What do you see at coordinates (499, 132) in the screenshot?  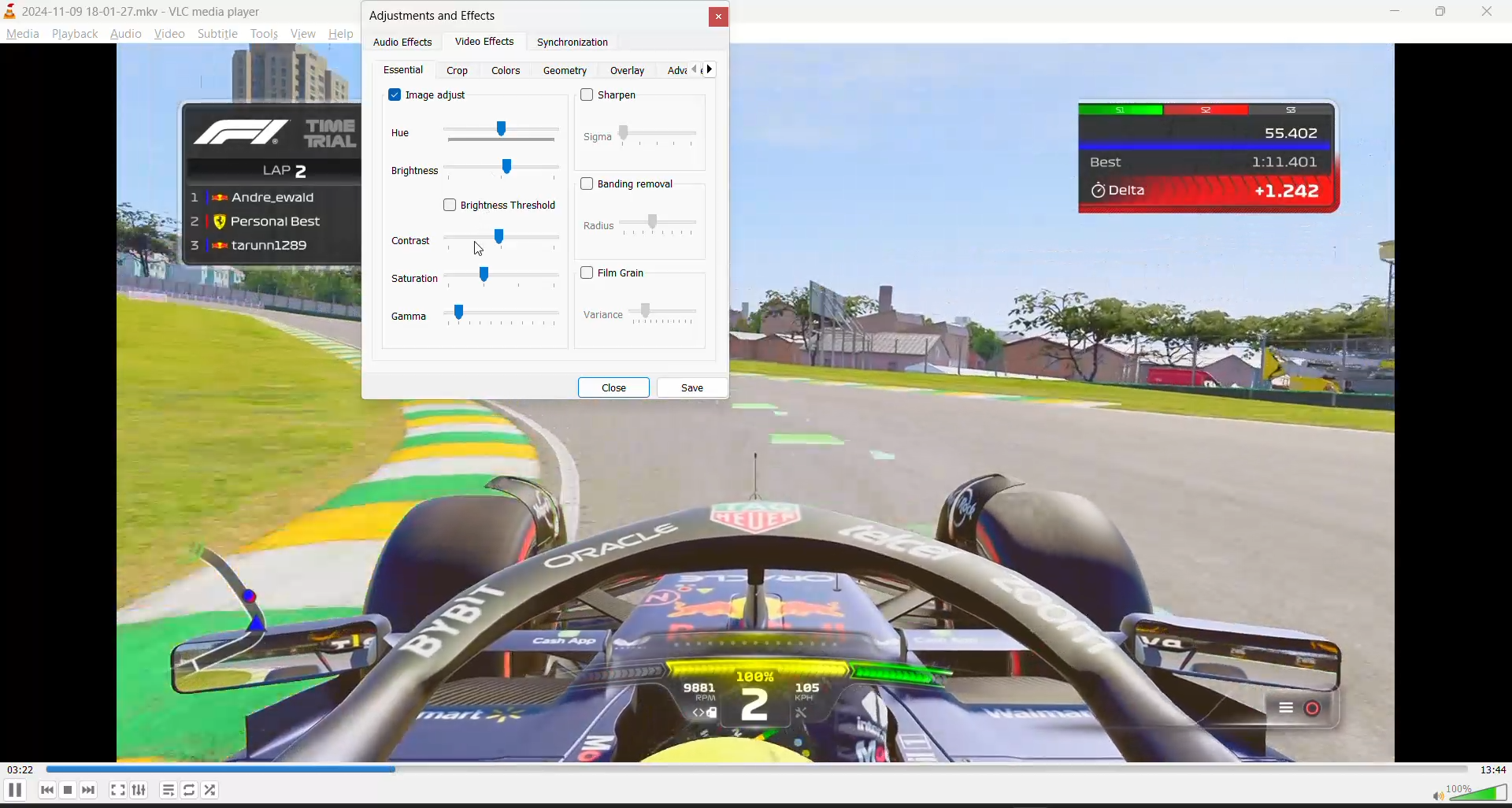 I see `hue slider` at bounding box center [499, 132].